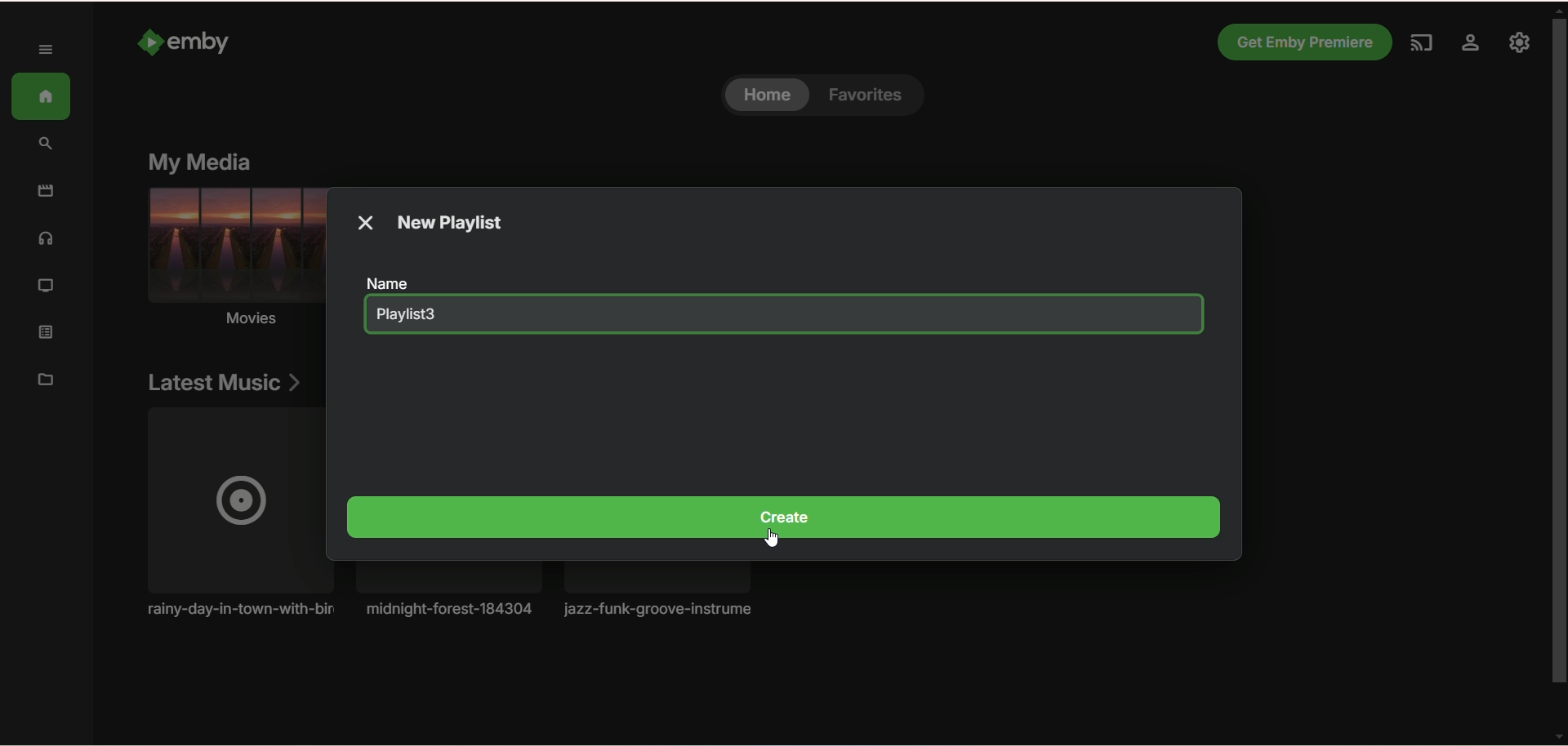 The image size is (1568, 746). What do you see at coordinates (232, 260) in the screenshot?
I see `movies` at bounding box center [232, 260].